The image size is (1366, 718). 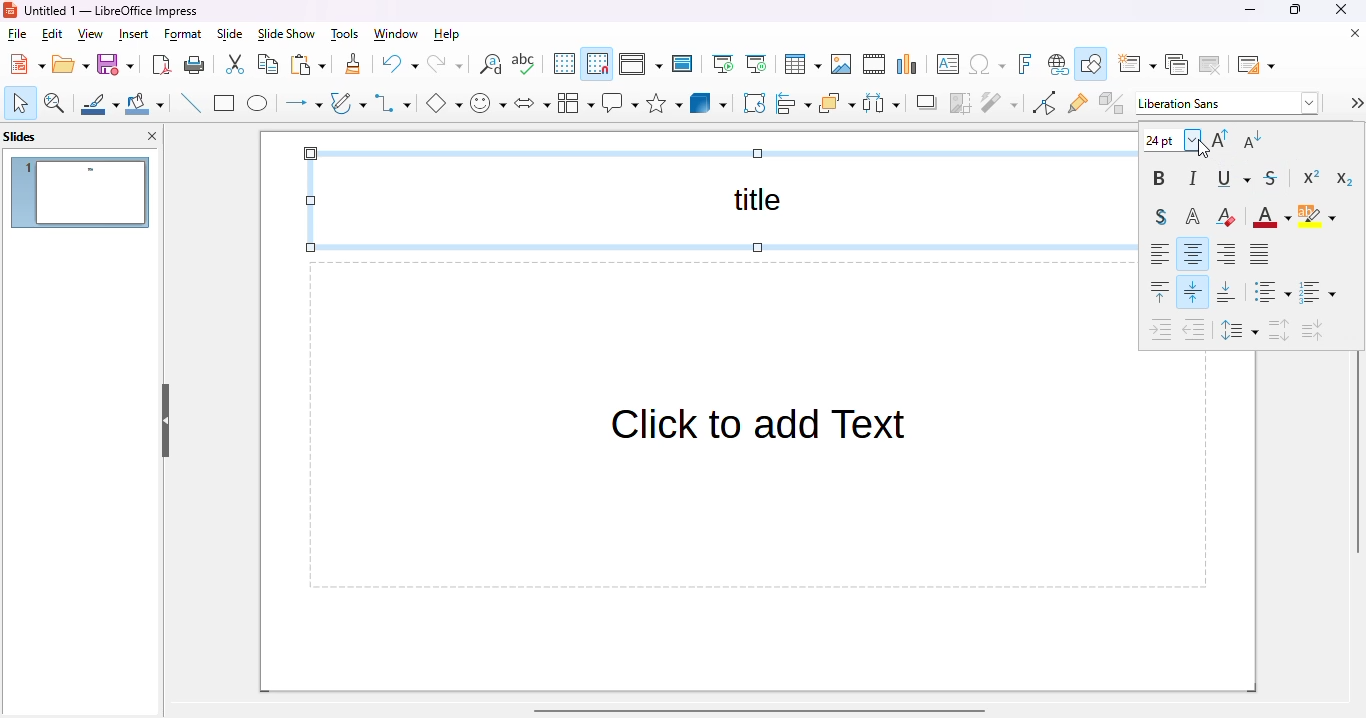 I want to click on align center, so click(x=1193, y=253).